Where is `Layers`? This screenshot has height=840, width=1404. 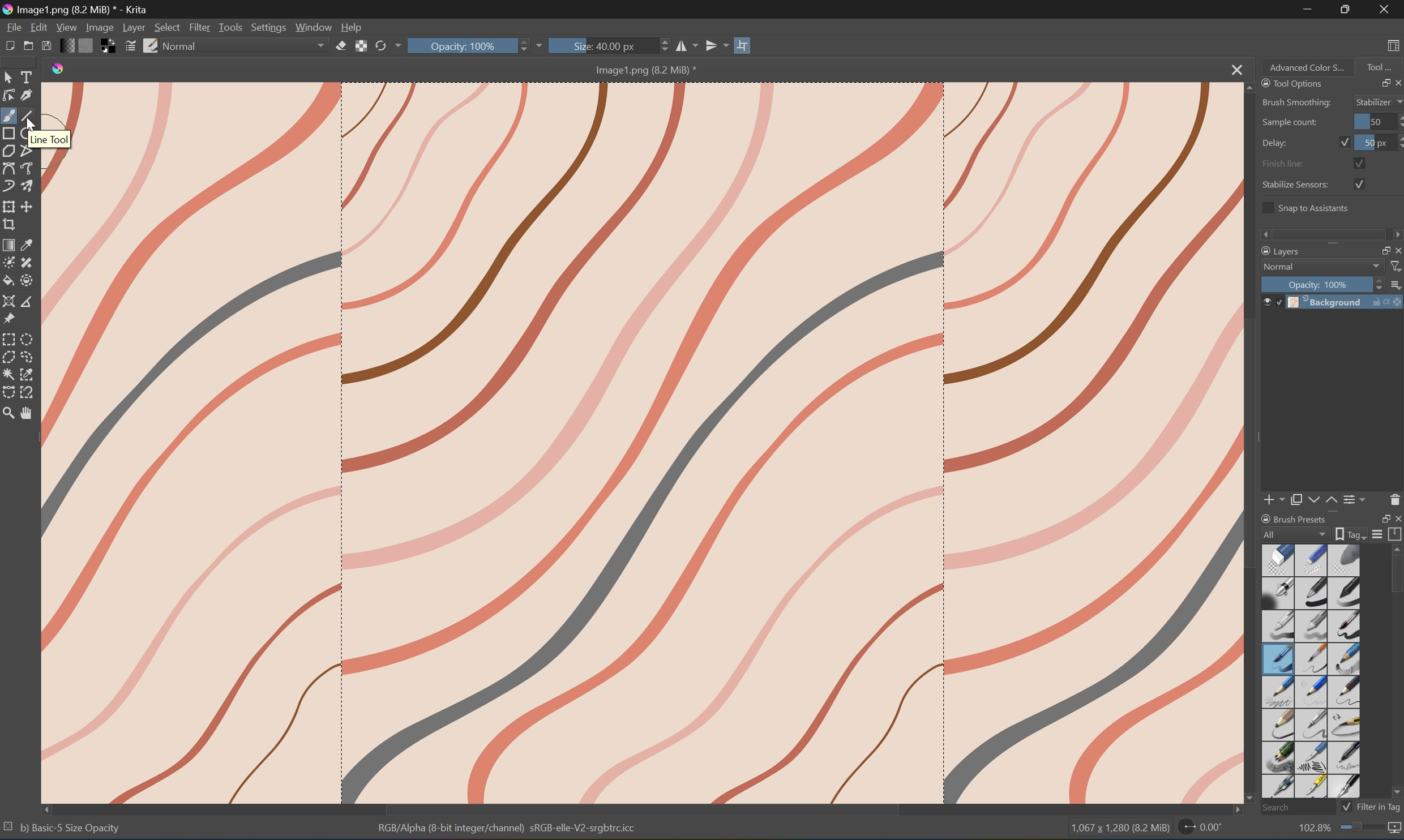
Layers is located at coordinates (1279, 250).